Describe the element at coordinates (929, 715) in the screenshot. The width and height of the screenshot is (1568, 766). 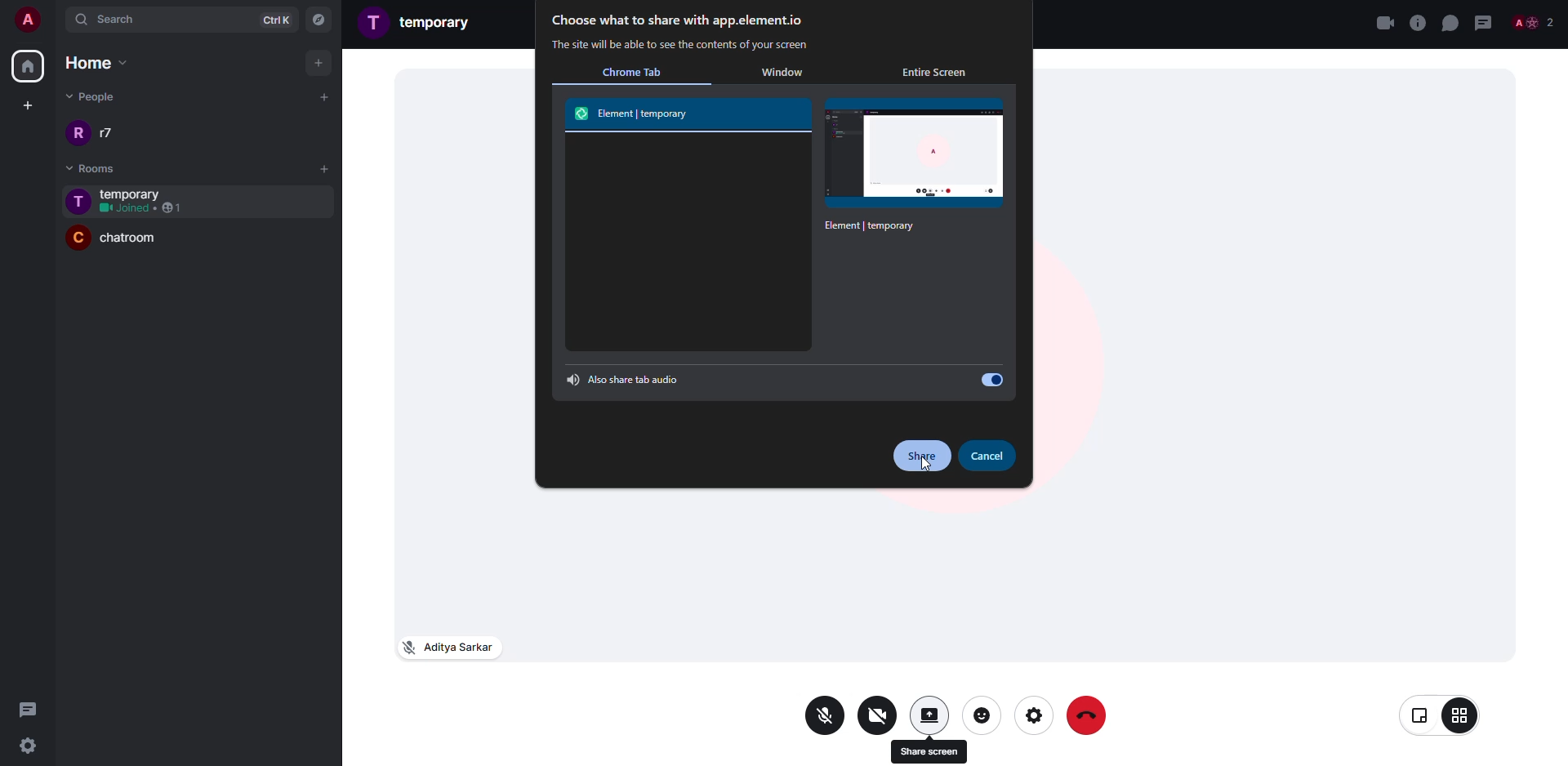
I see `share screen` at that location.